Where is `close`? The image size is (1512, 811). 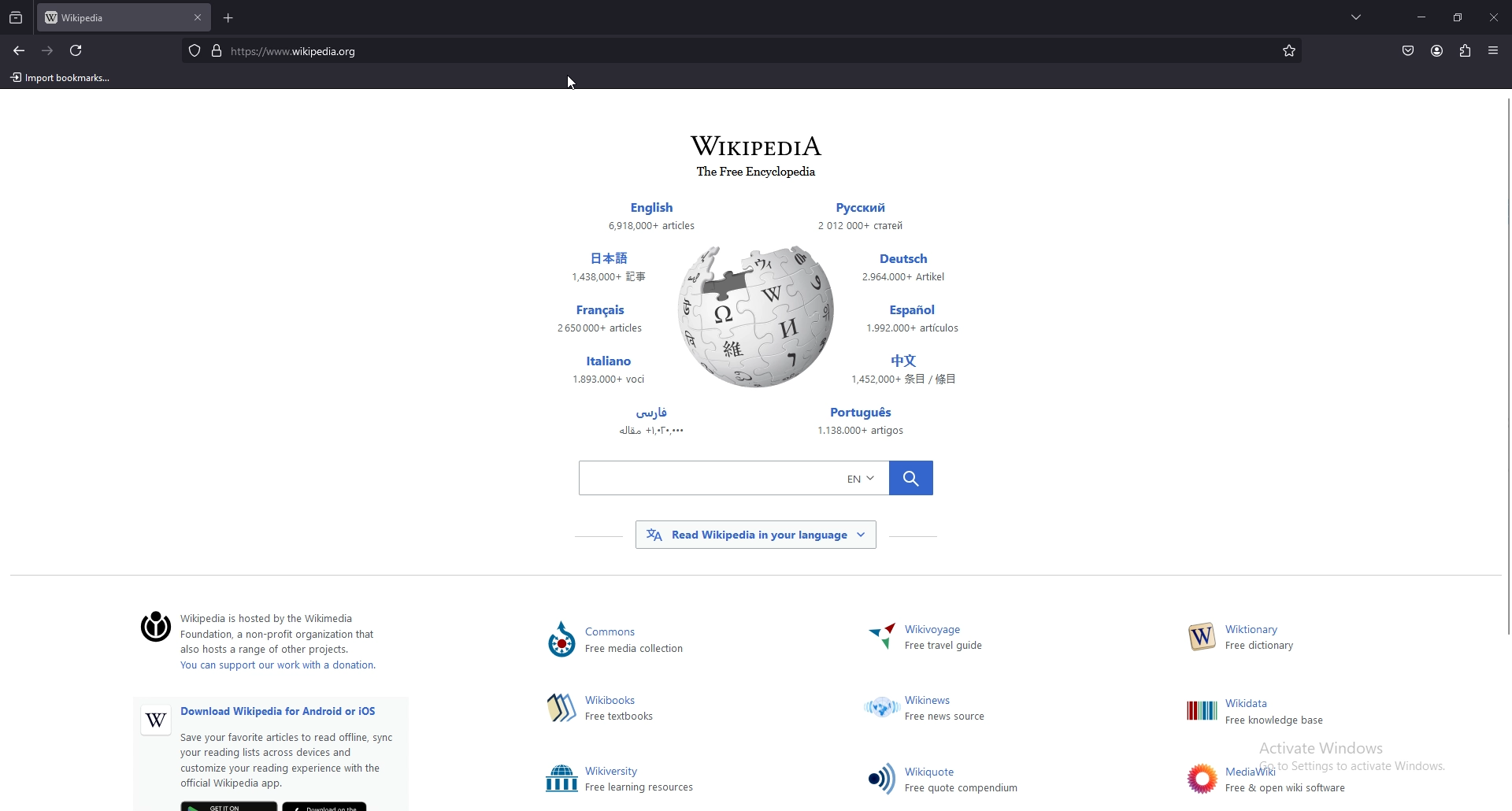 close is located at coordinates (1495, 18).